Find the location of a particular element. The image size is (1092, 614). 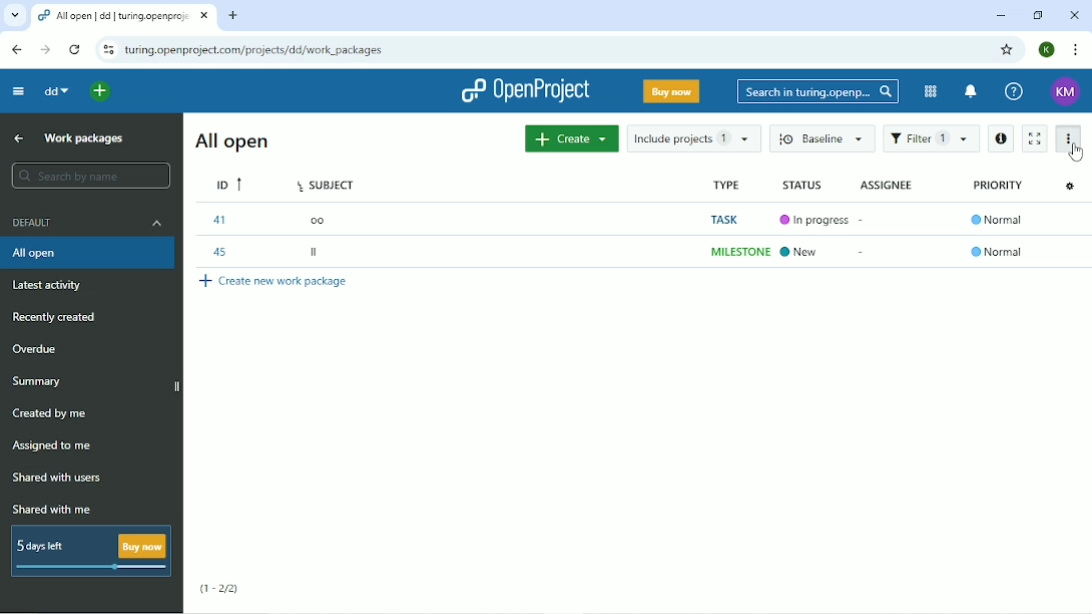

forward is located at coordinates (42, 50).